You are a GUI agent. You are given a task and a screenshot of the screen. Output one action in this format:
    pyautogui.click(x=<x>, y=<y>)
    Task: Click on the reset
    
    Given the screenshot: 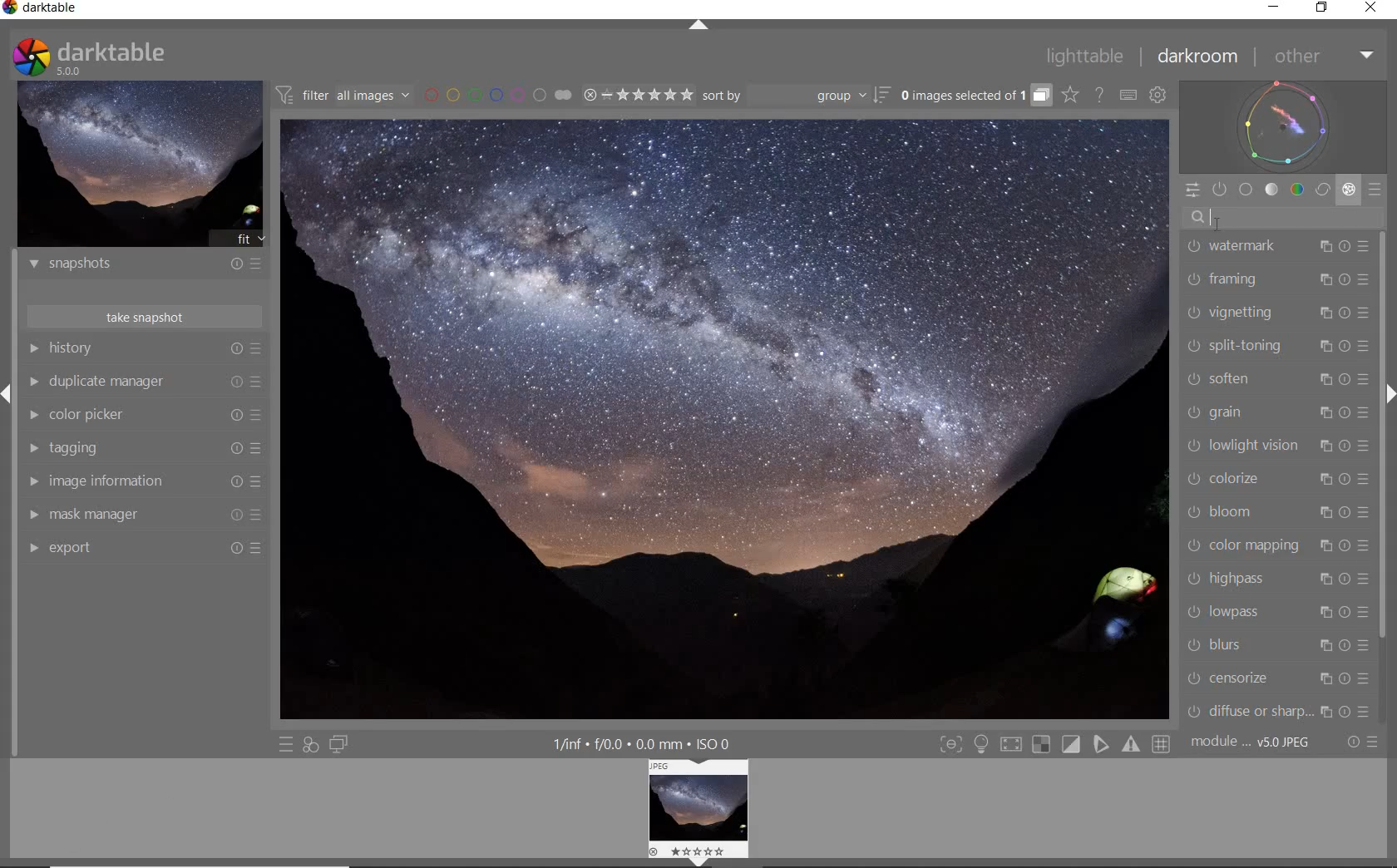 What is the action you would take?
    pyautogui.click(x=234, y=263)
    